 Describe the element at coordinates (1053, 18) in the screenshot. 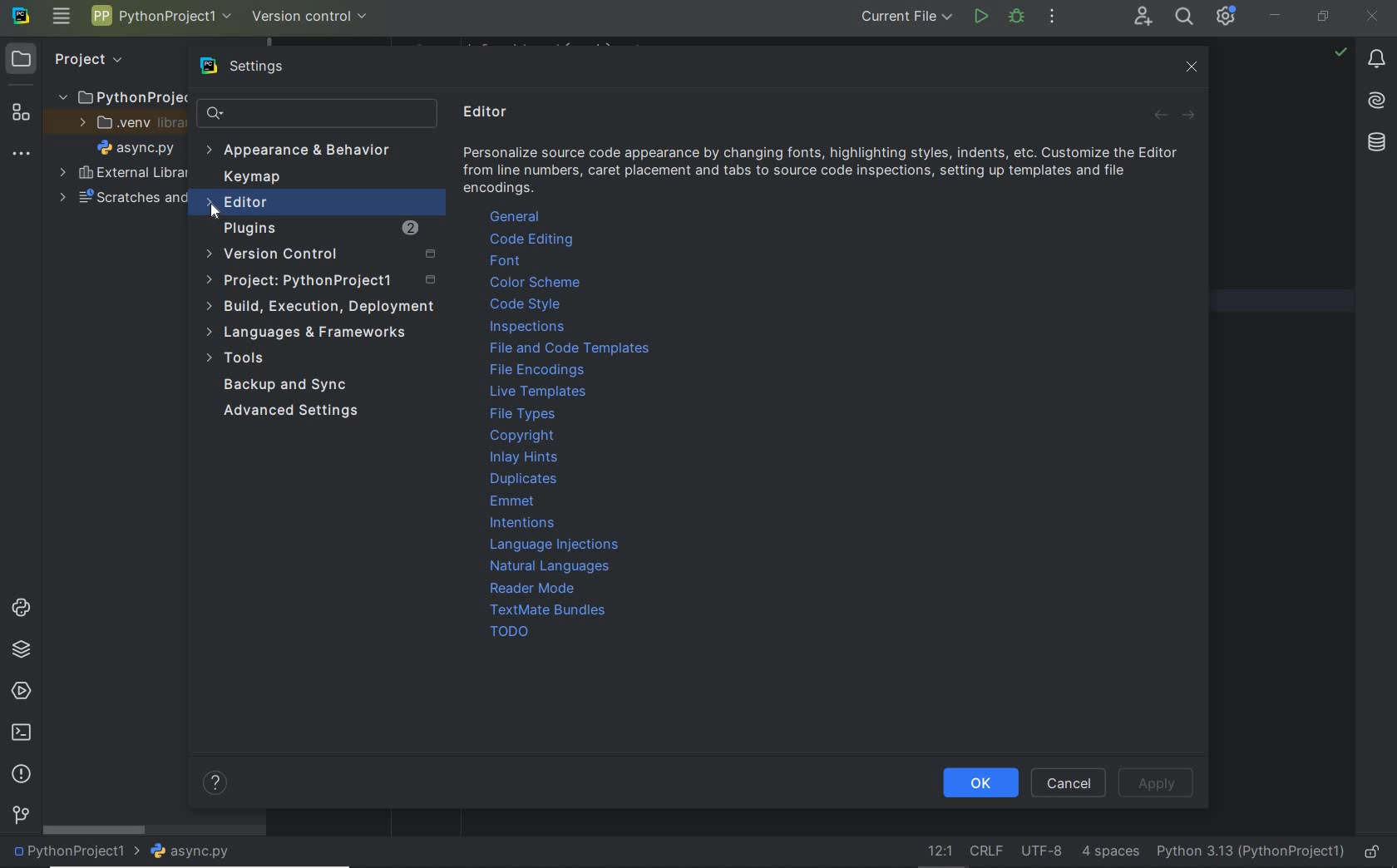

I see `more actions` at that location.